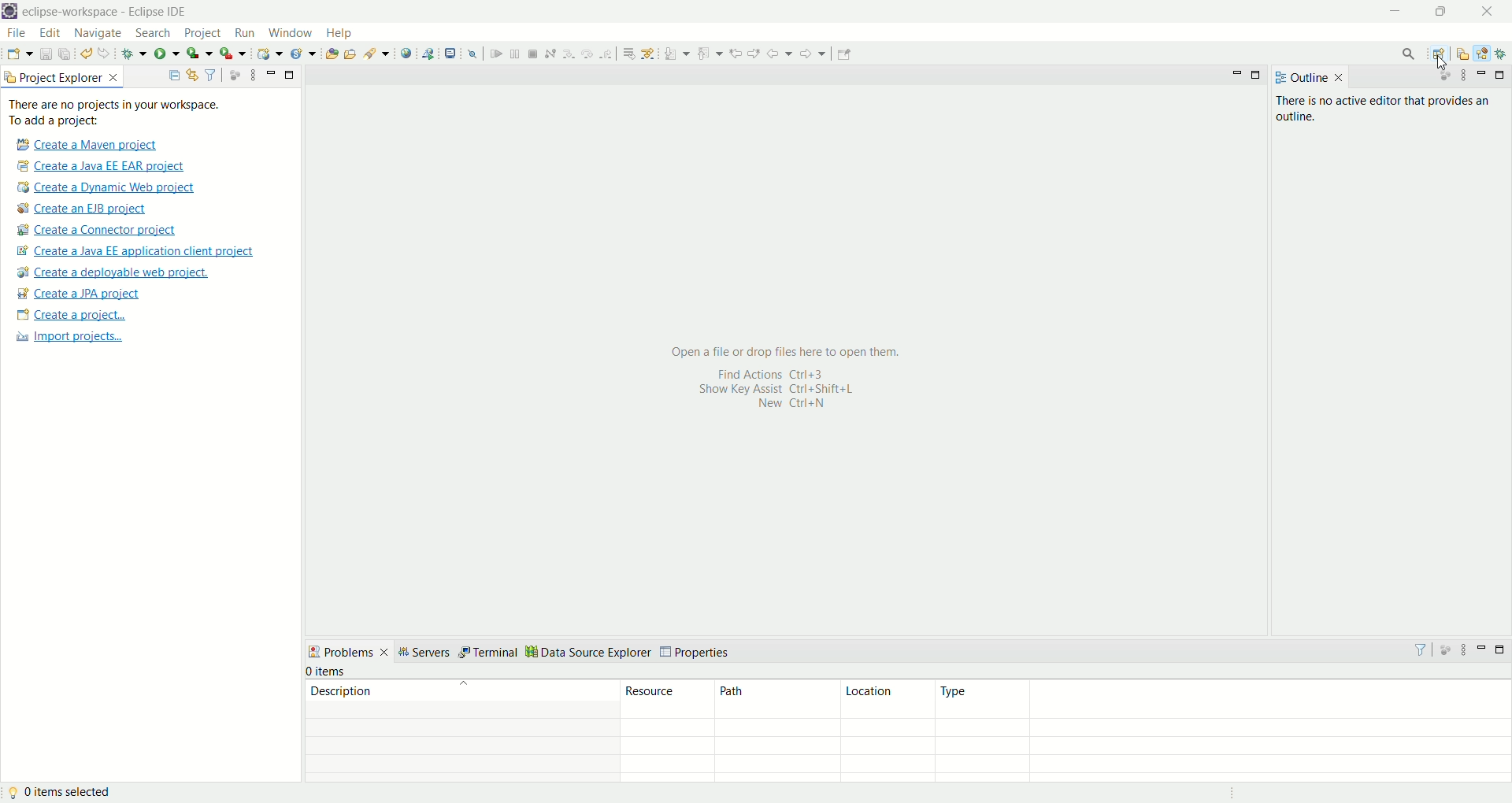 This screenshot has width=1512, height=803. What do you see at coordinates (243, 35) in the screenshot?
I see `run` at bounding box center [243, 35].